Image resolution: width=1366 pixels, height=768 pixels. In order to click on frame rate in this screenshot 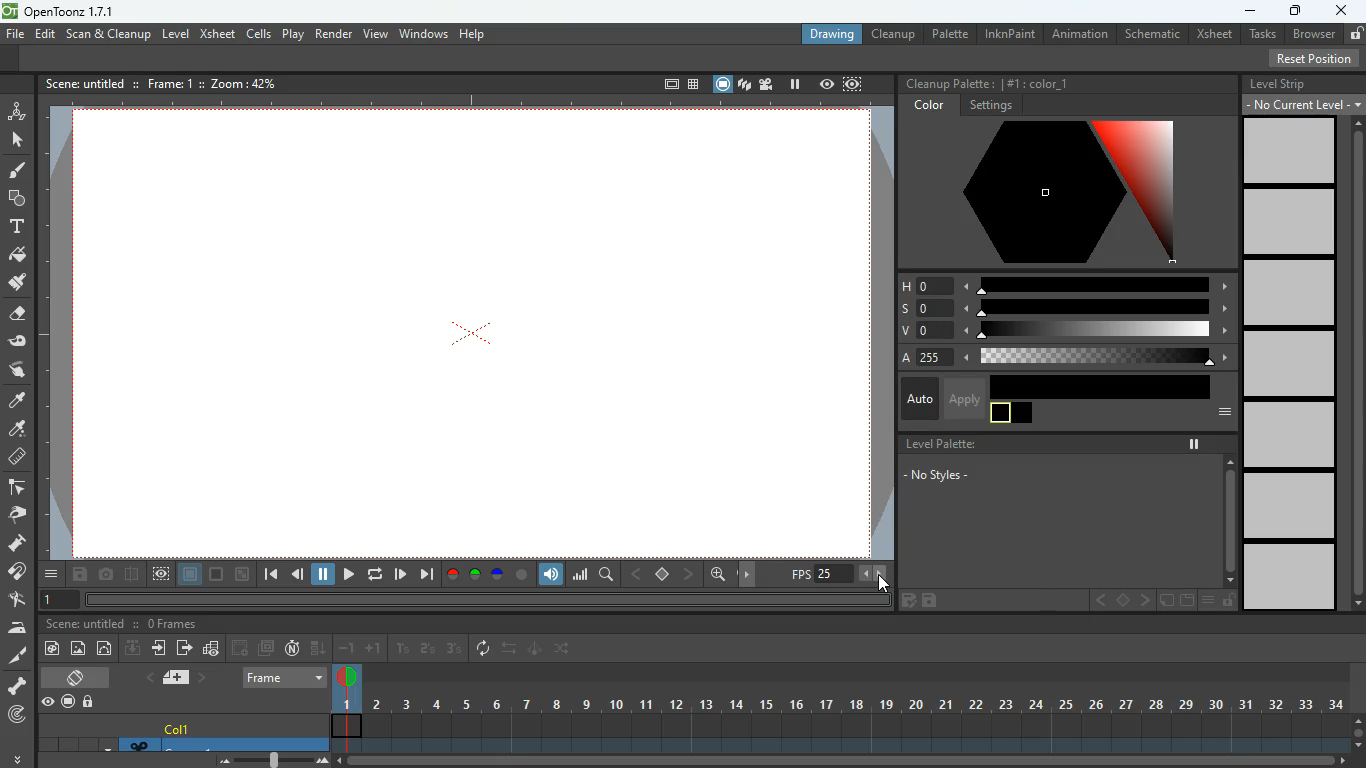, I will do `click(798, 574)`.